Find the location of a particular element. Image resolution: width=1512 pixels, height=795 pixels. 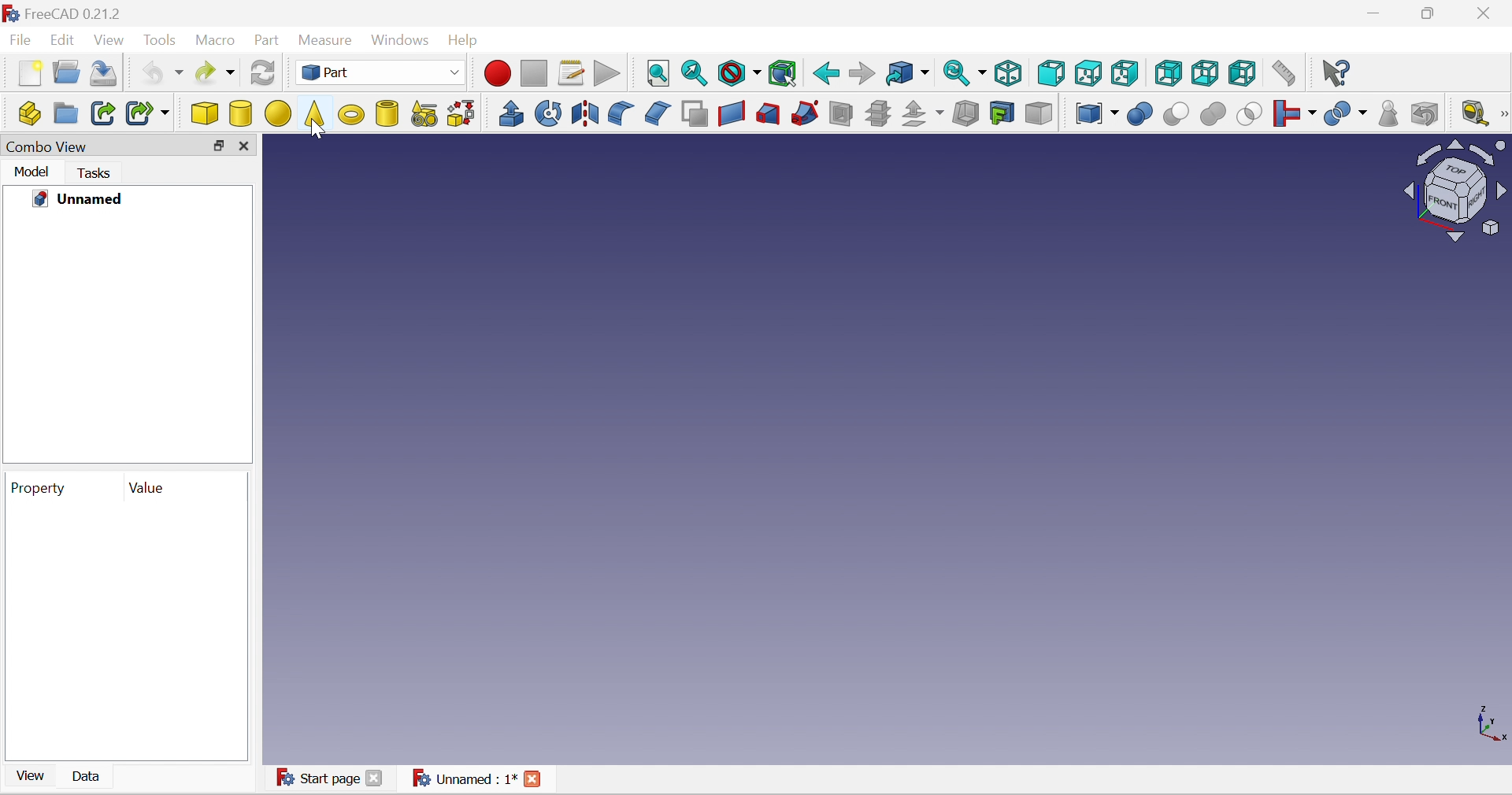

Combo view is located at coordinates (47, 146).